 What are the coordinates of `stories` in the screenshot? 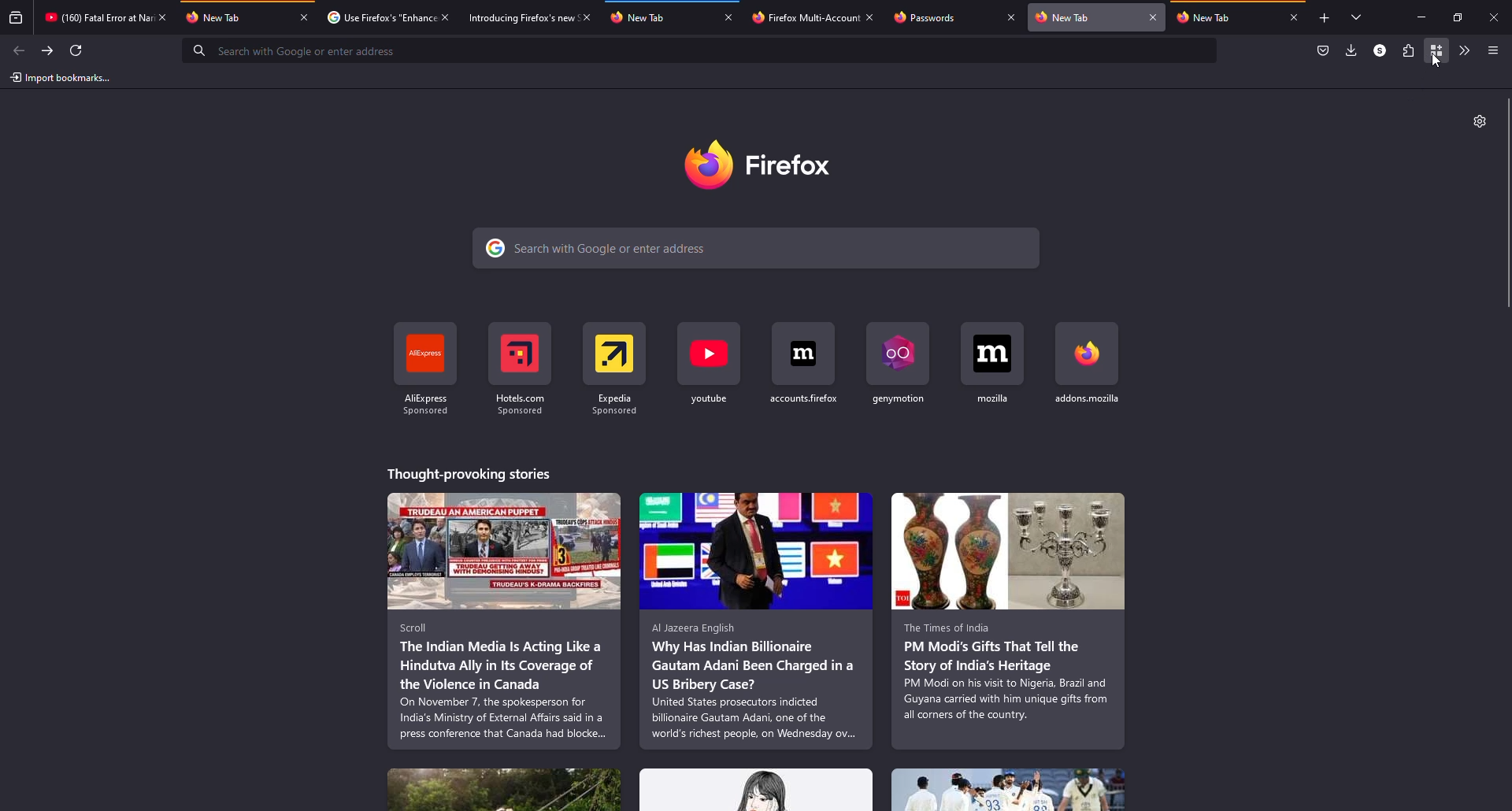 It's located at (504, 621).